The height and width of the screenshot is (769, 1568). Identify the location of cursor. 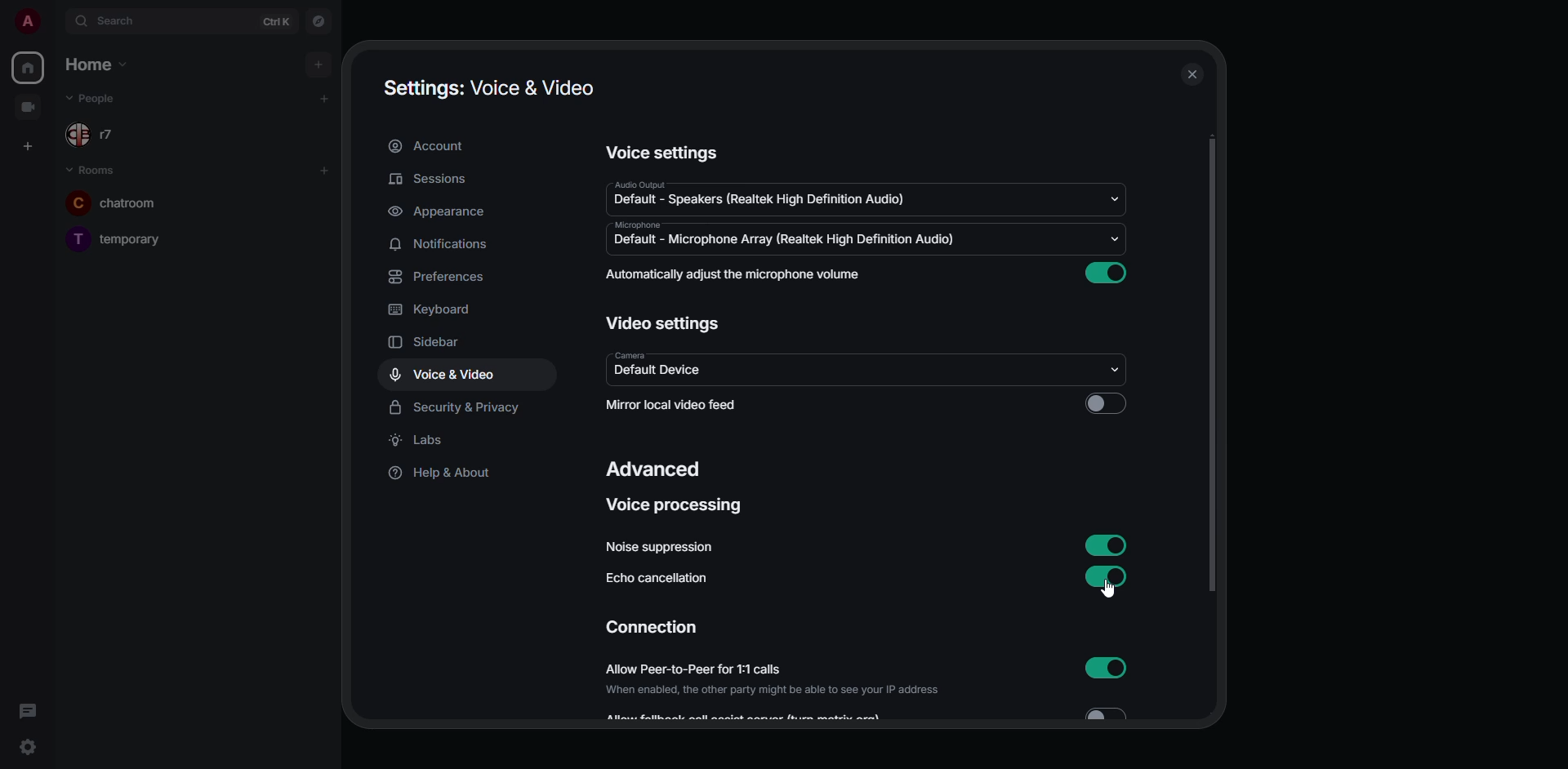
(1107, 591).